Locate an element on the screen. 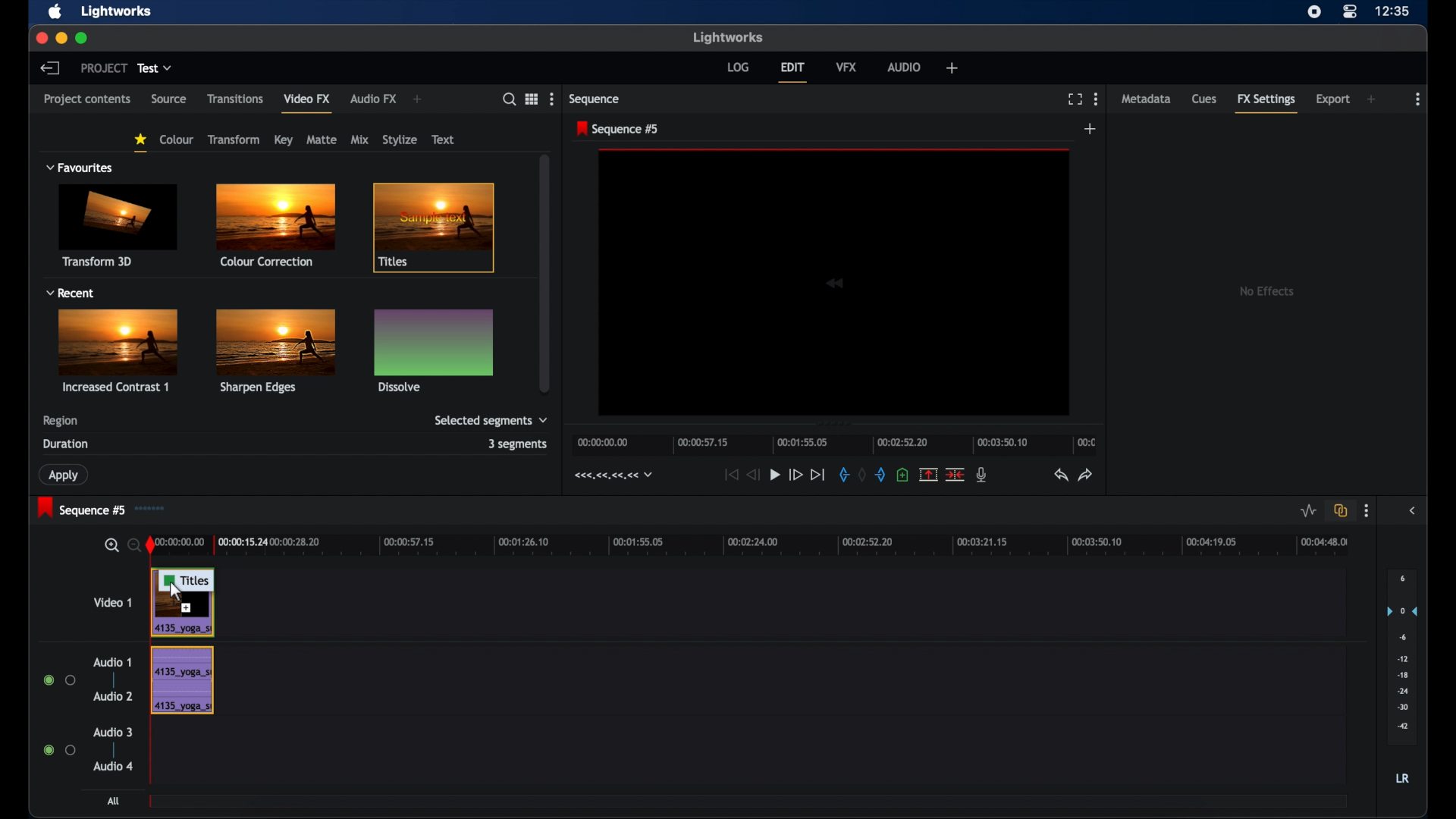 The width and height of the screenshot is (1456, 819). redo is located at coordinates (1087, 475).